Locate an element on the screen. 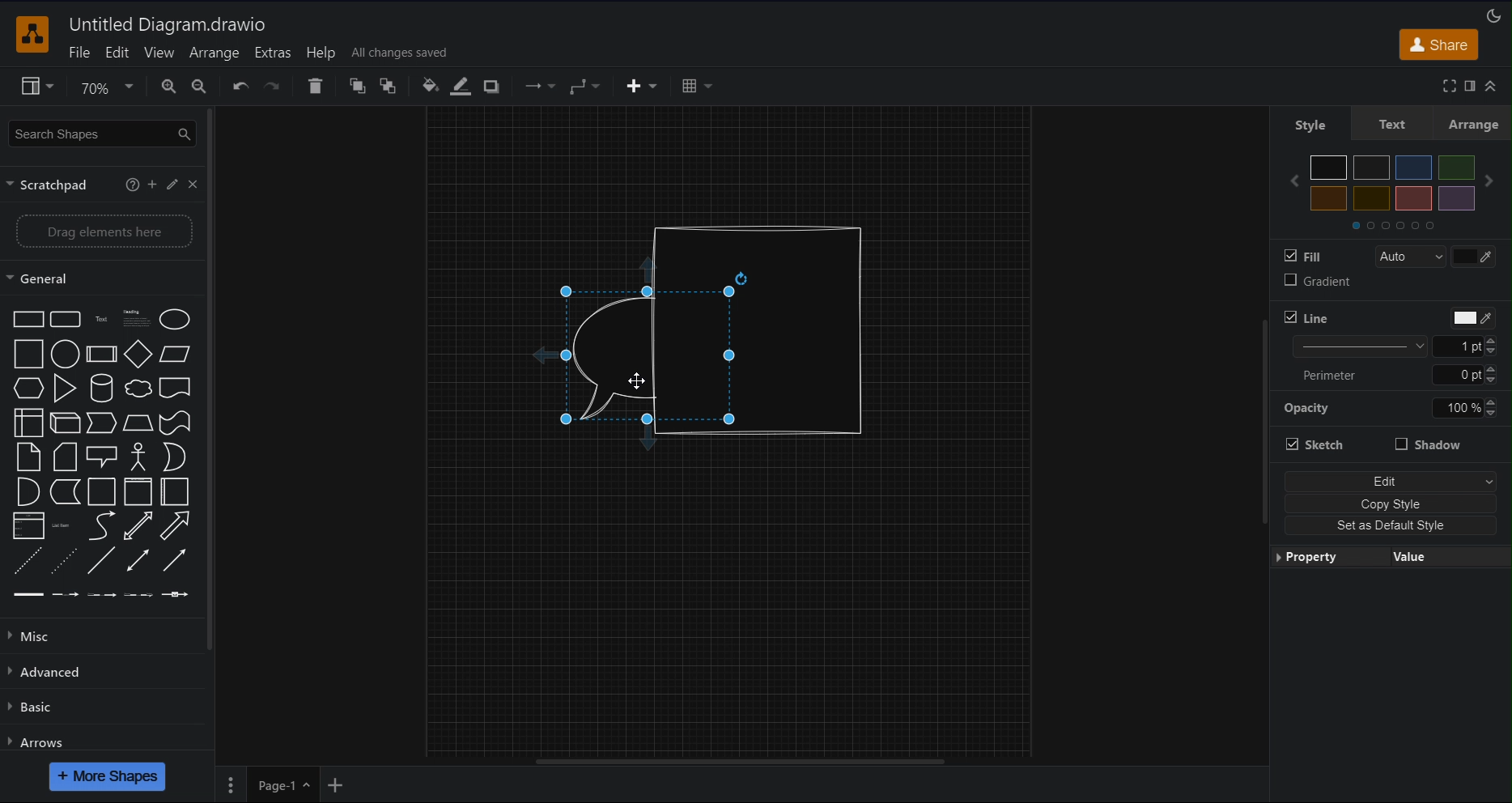 The width and height of the screenshot is (1512, 803). Collapse is located at coordinates (1491, 86).